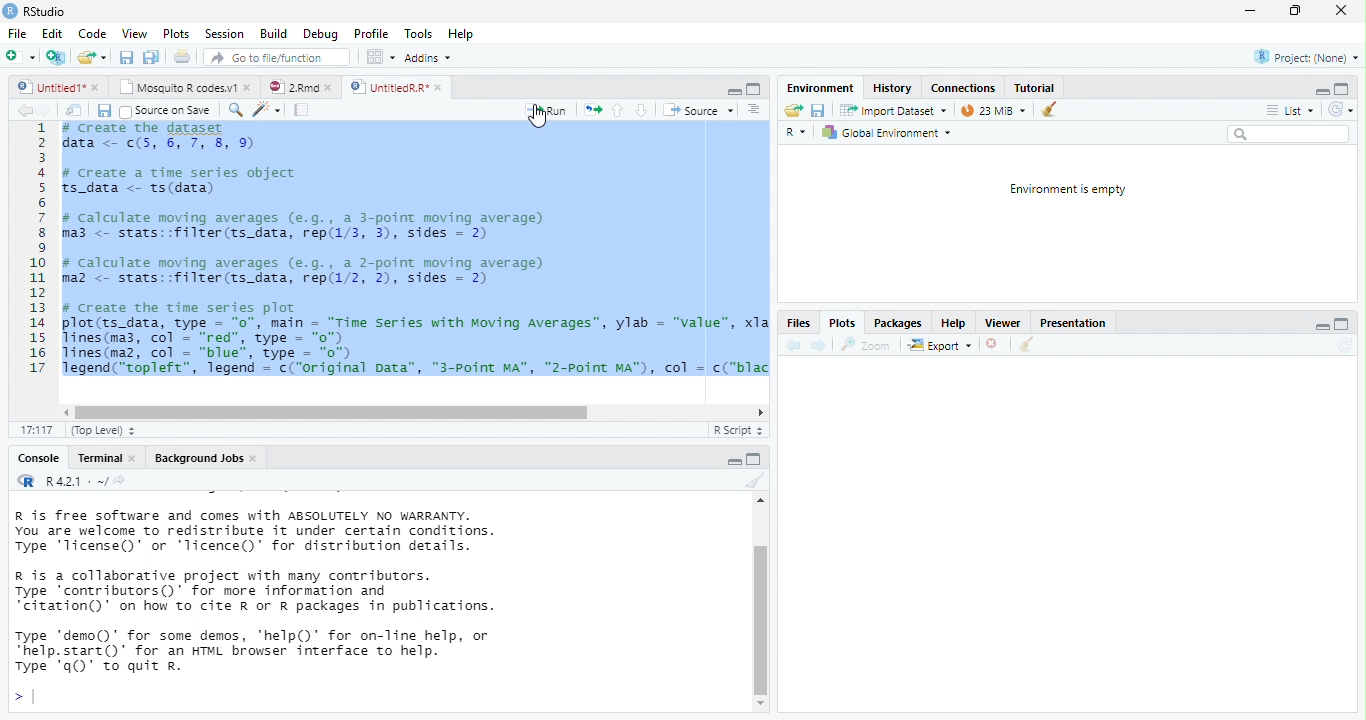 The image size is (1366, 720). I want to click on save all open document, so click(126, 57).